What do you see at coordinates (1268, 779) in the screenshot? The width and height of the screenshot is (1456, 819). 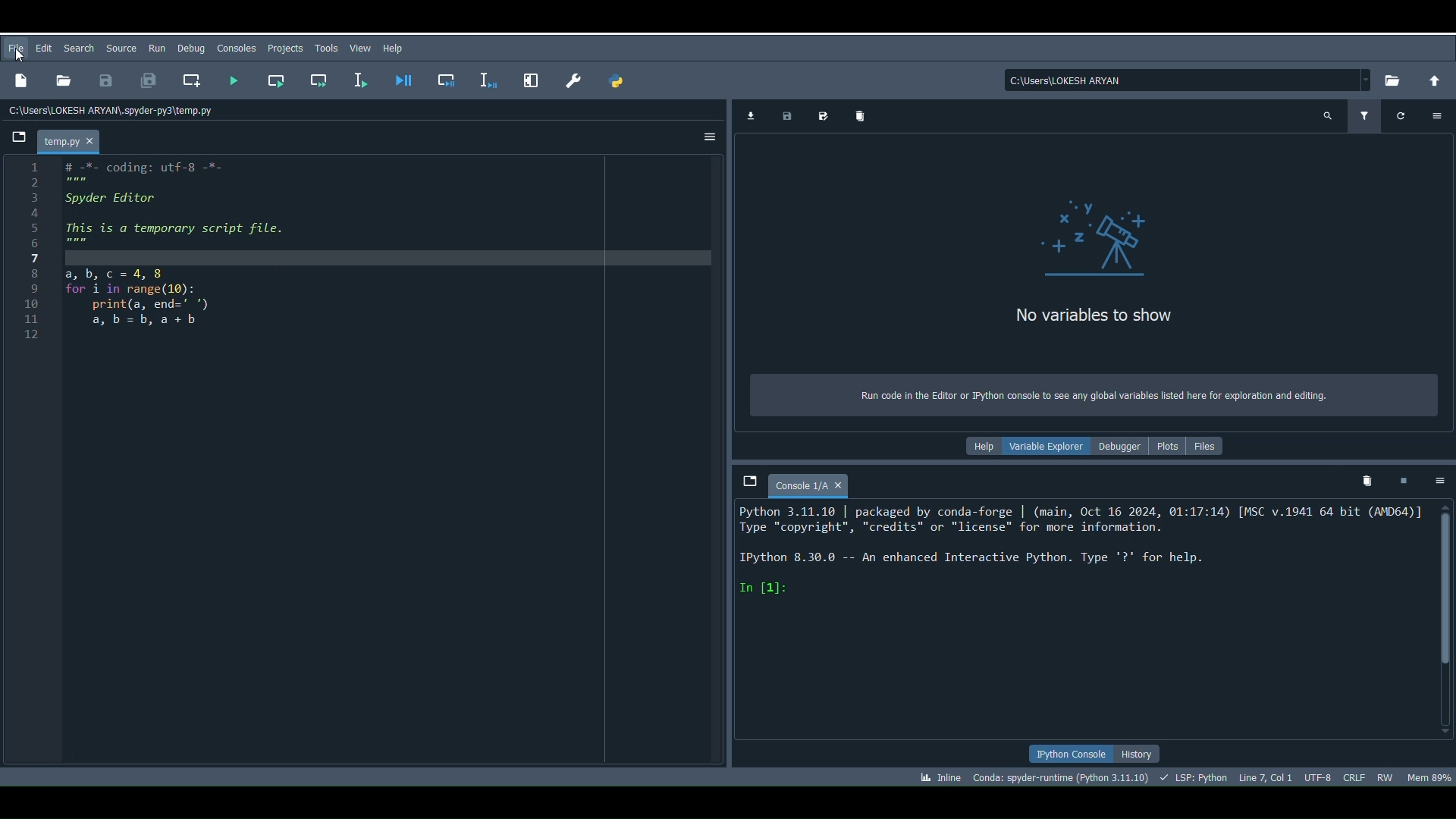 I see `Cursor position` at bounding box center [1268, 779].